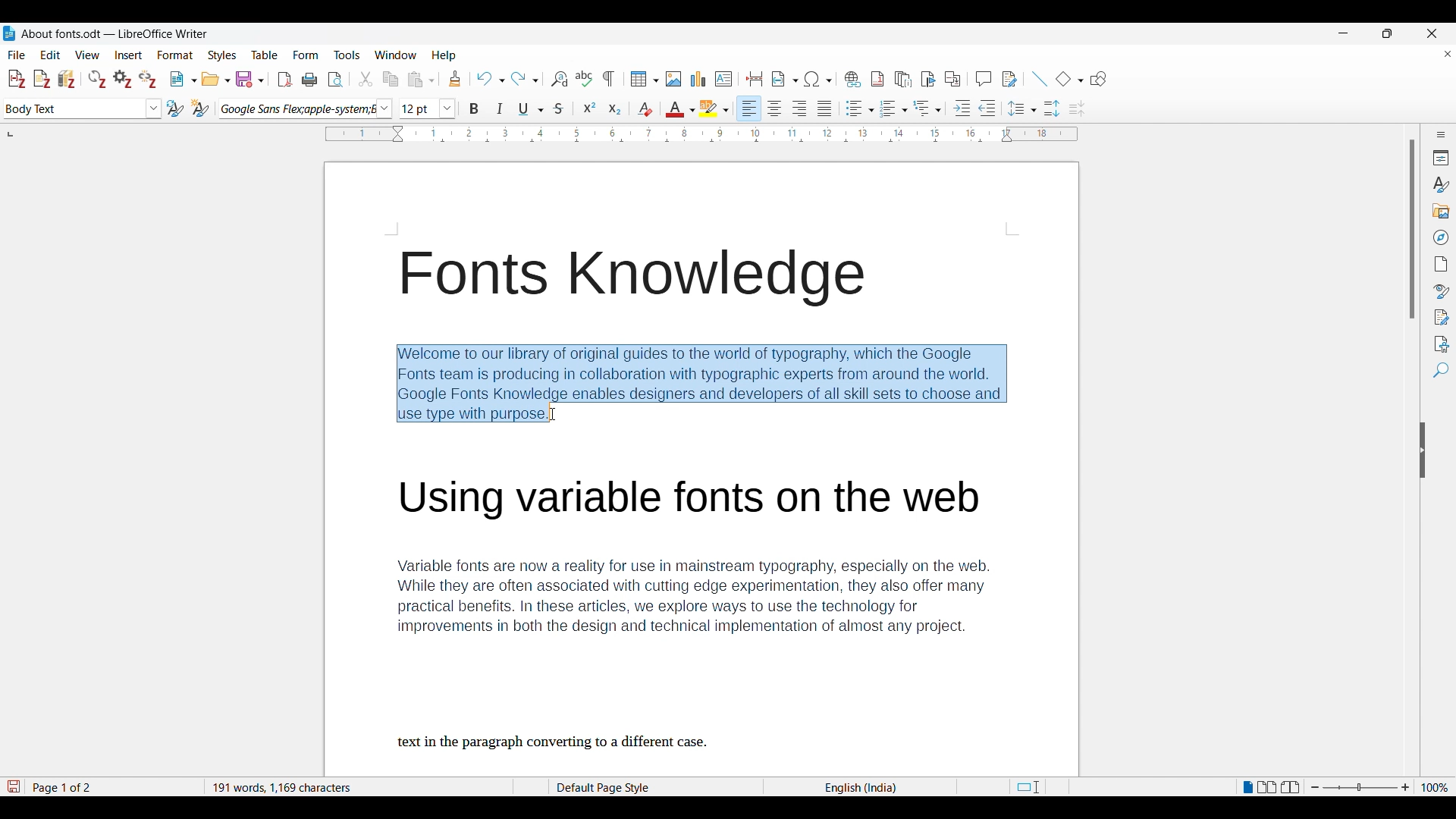 The image size is (1456, 819). I want to click on Subscript, so click(615, 108).